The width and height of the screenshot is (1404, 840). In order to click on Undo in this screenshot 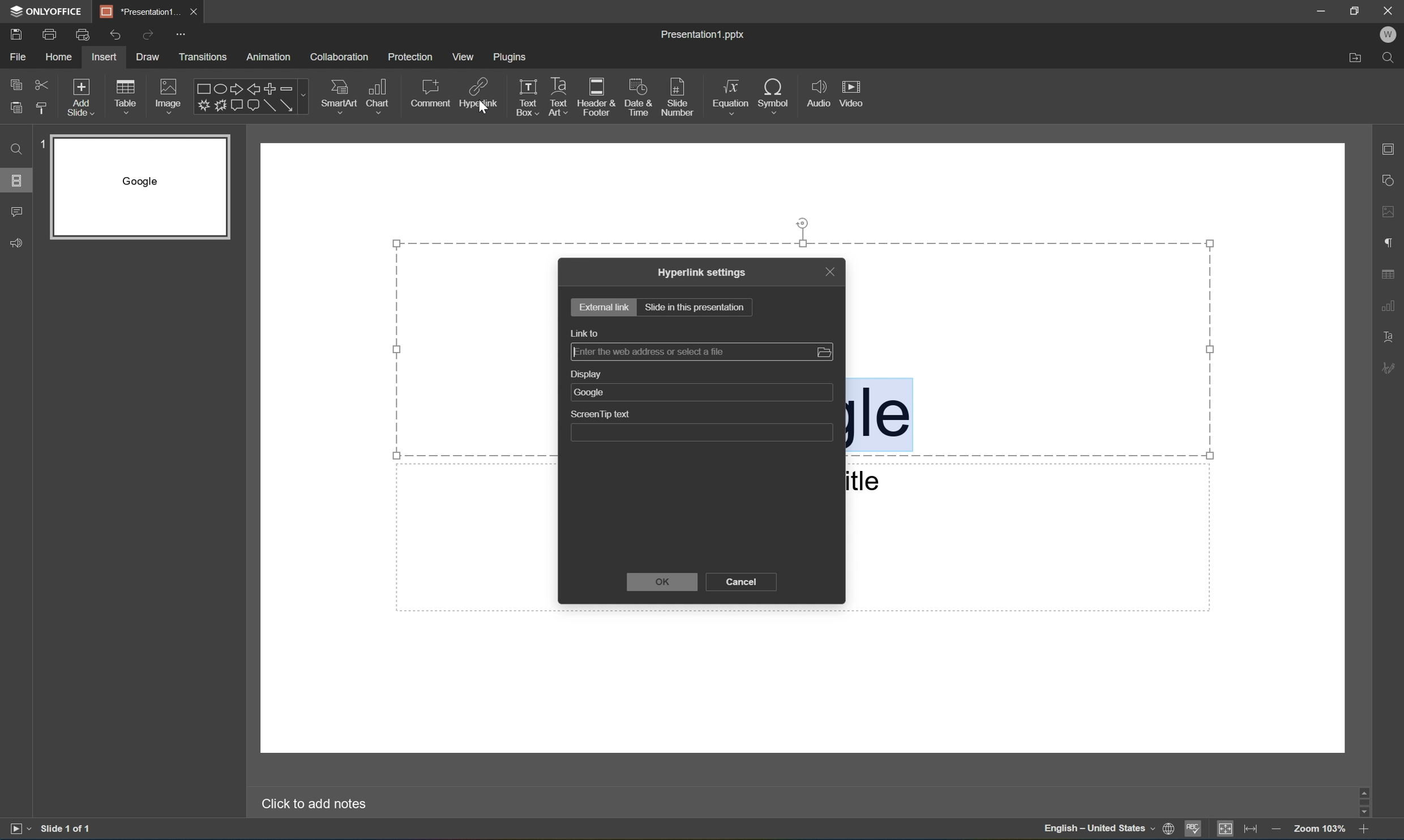, I will do `click(115, 36)`.